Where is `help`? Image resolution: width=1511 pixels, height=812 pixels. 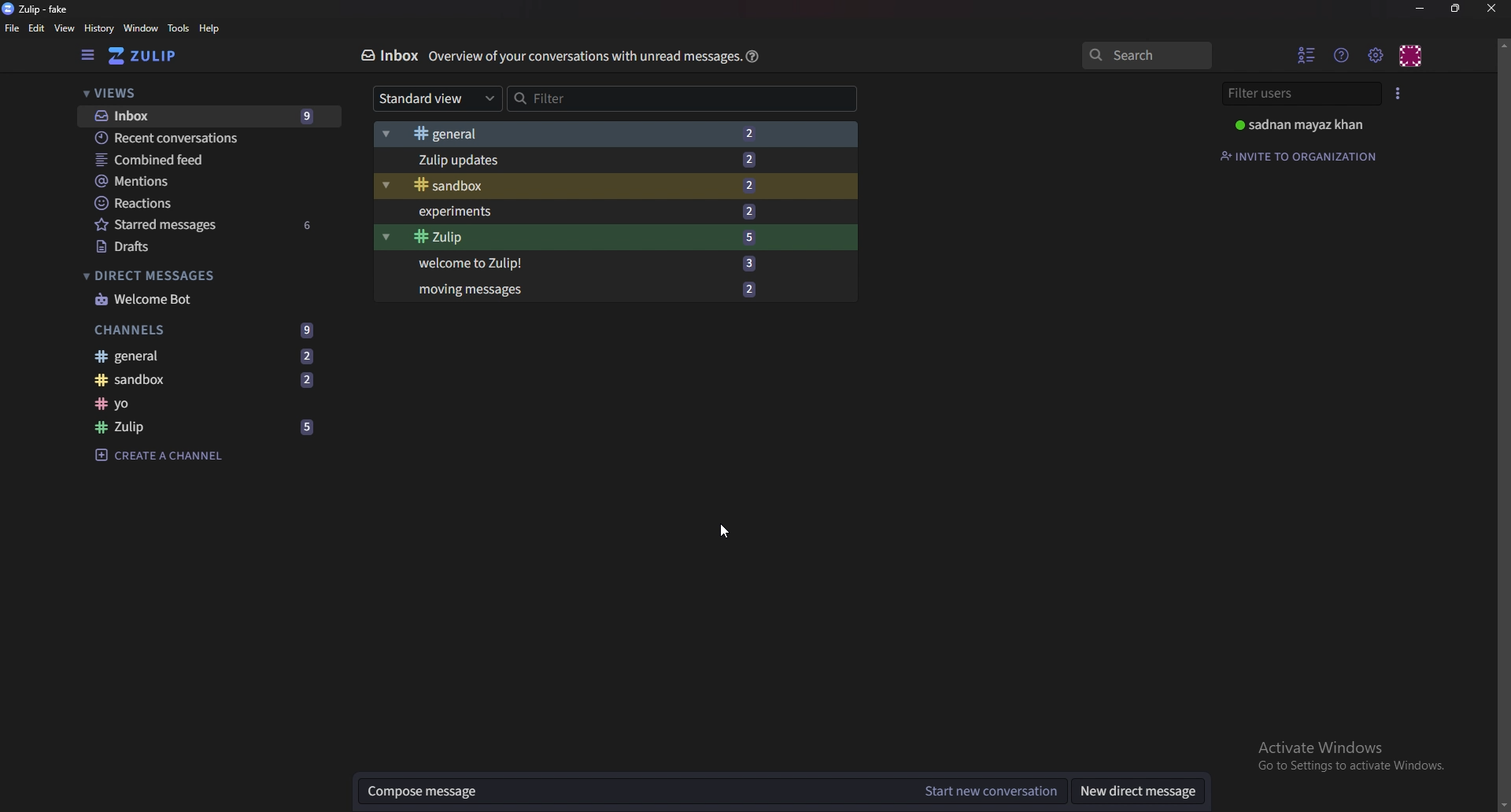
help is located at coordinates (212, 28).